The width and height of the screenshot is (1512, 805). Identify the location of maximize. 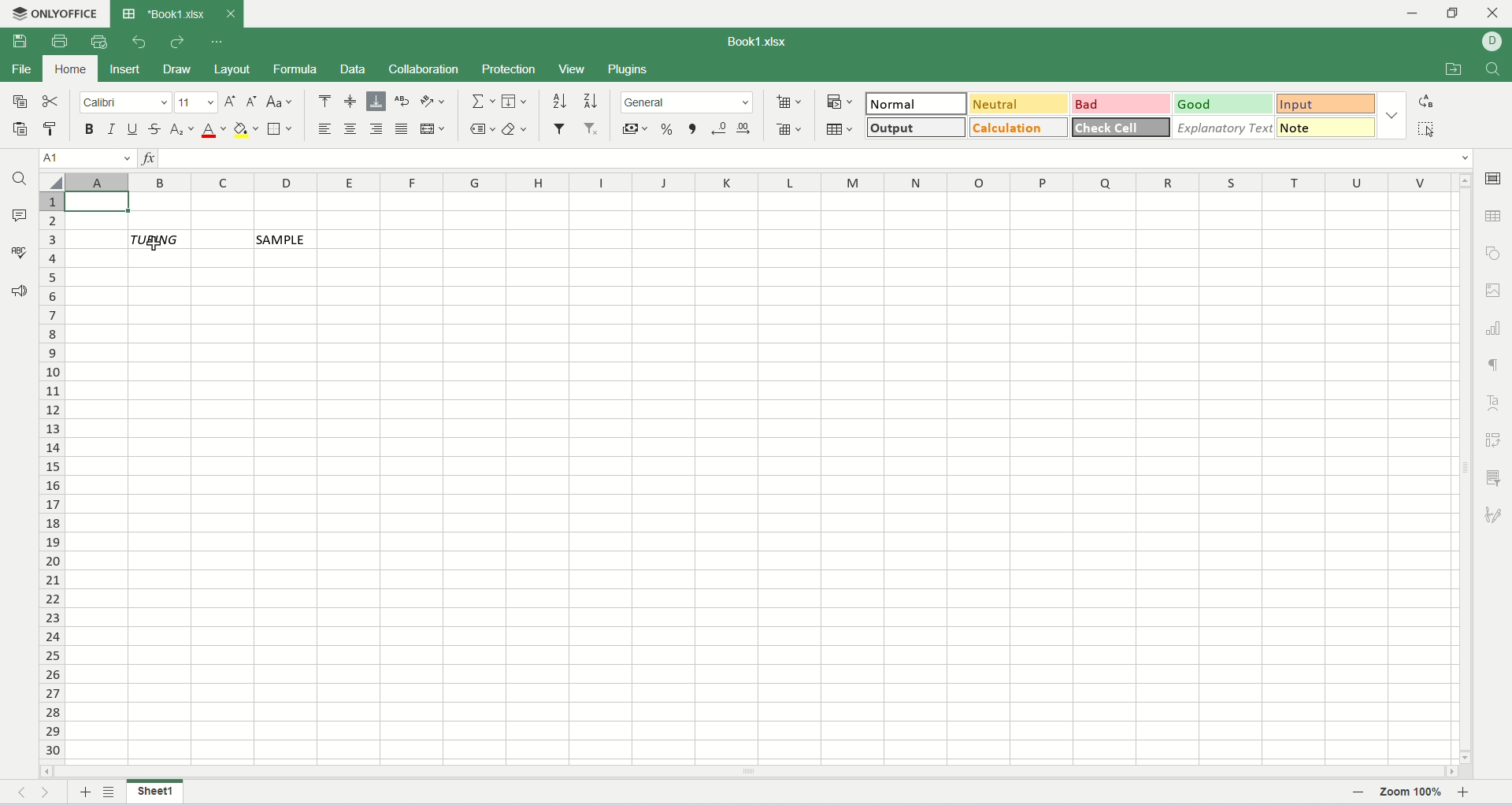
(1457, 15).